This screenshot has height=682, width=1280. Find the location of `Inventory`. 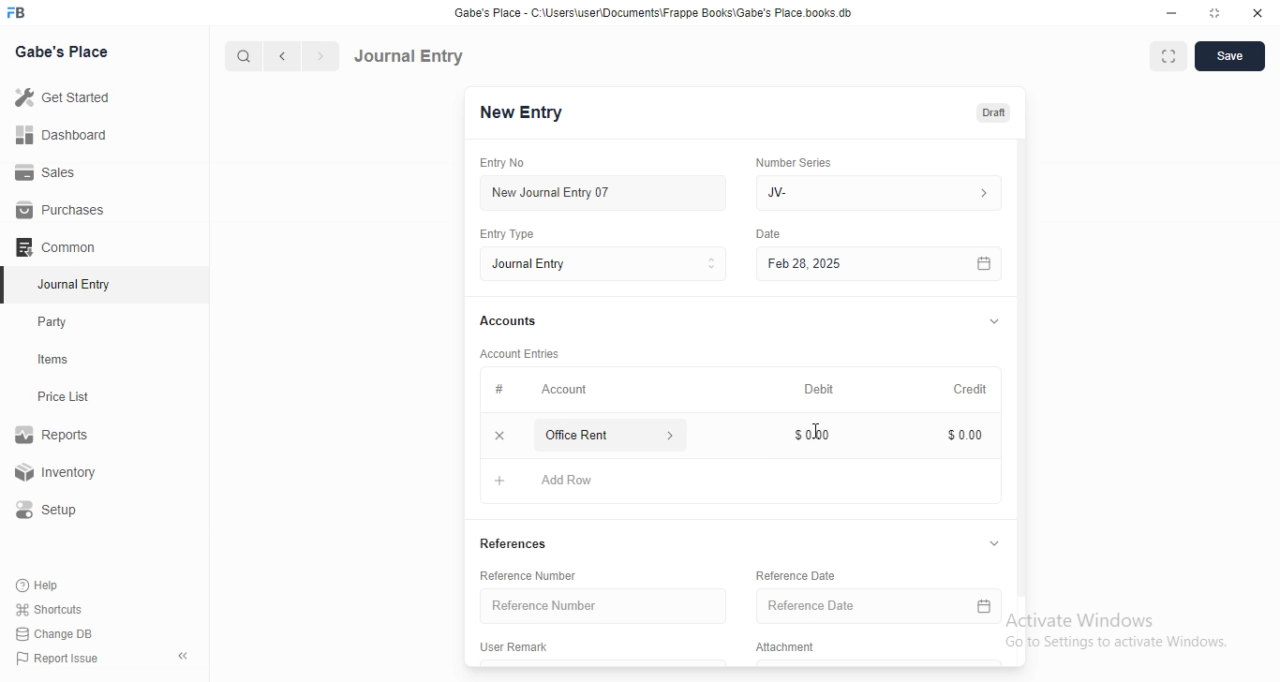

Inventory is located at coordinates (59, 474).